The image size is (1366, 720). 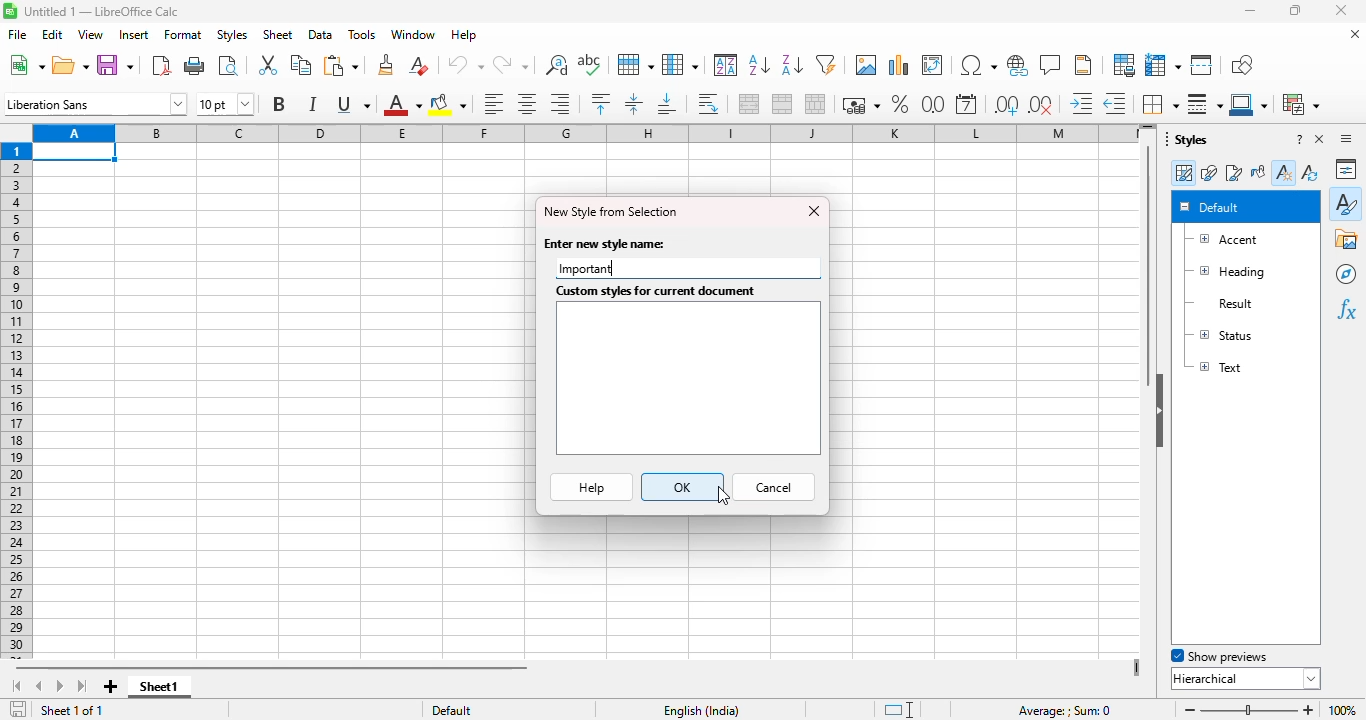 I want to click on save, so click(x=115, y=65).